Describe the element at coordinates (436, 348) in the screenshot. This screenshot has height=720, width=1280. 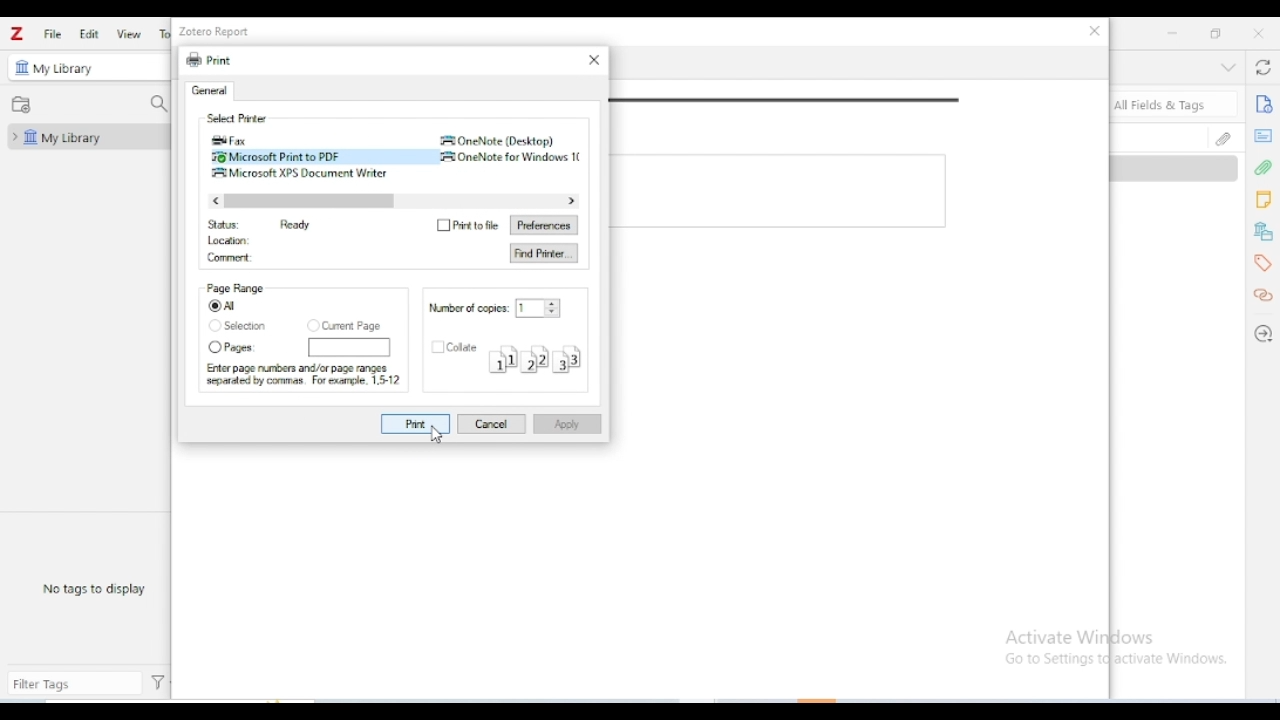
I see `Checkbox` at that location.